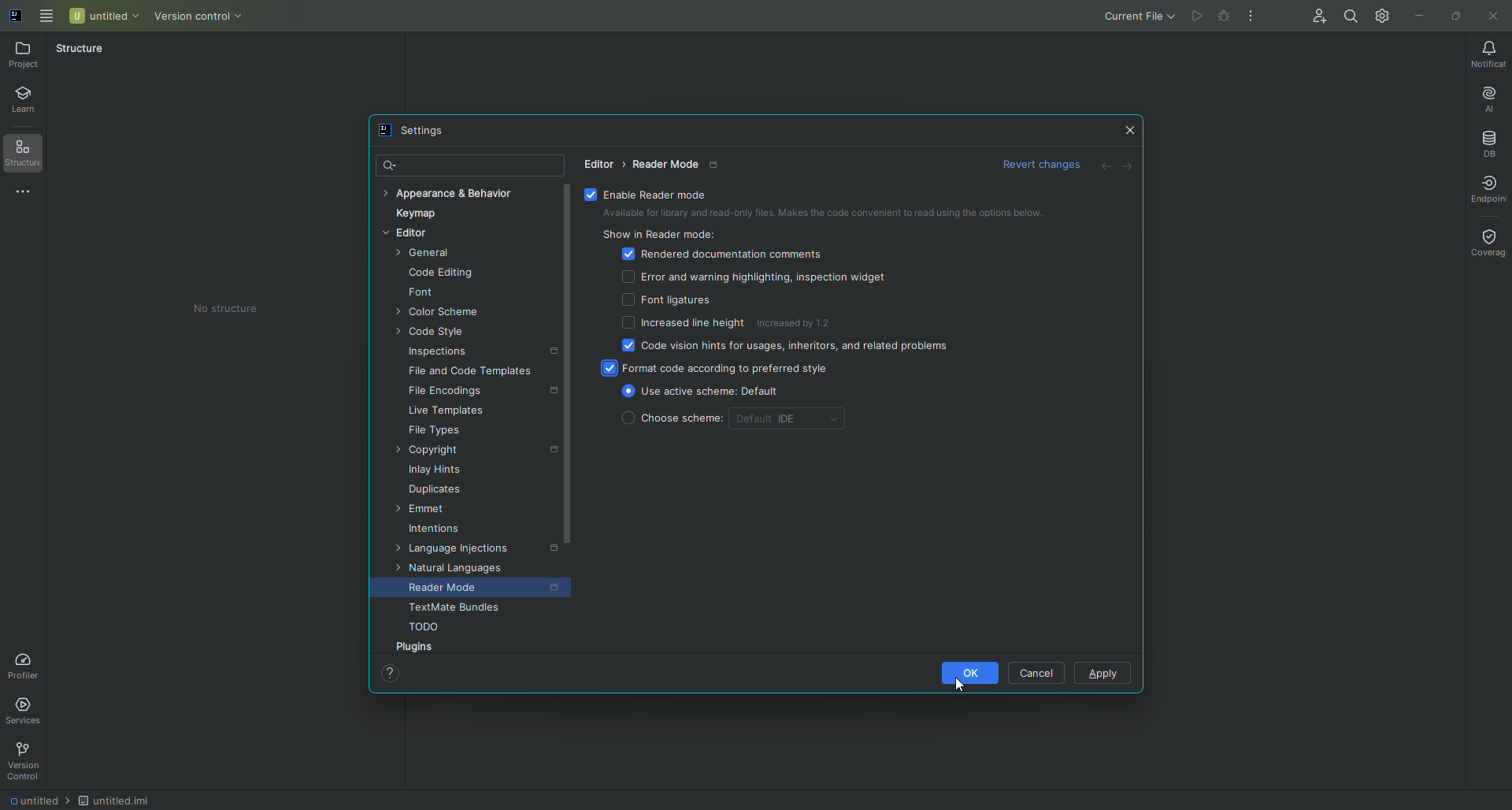 The image size is (1512, 810). Describe the element at coordinates (227, 310) in the screenshot. I see `No structure` at that location.